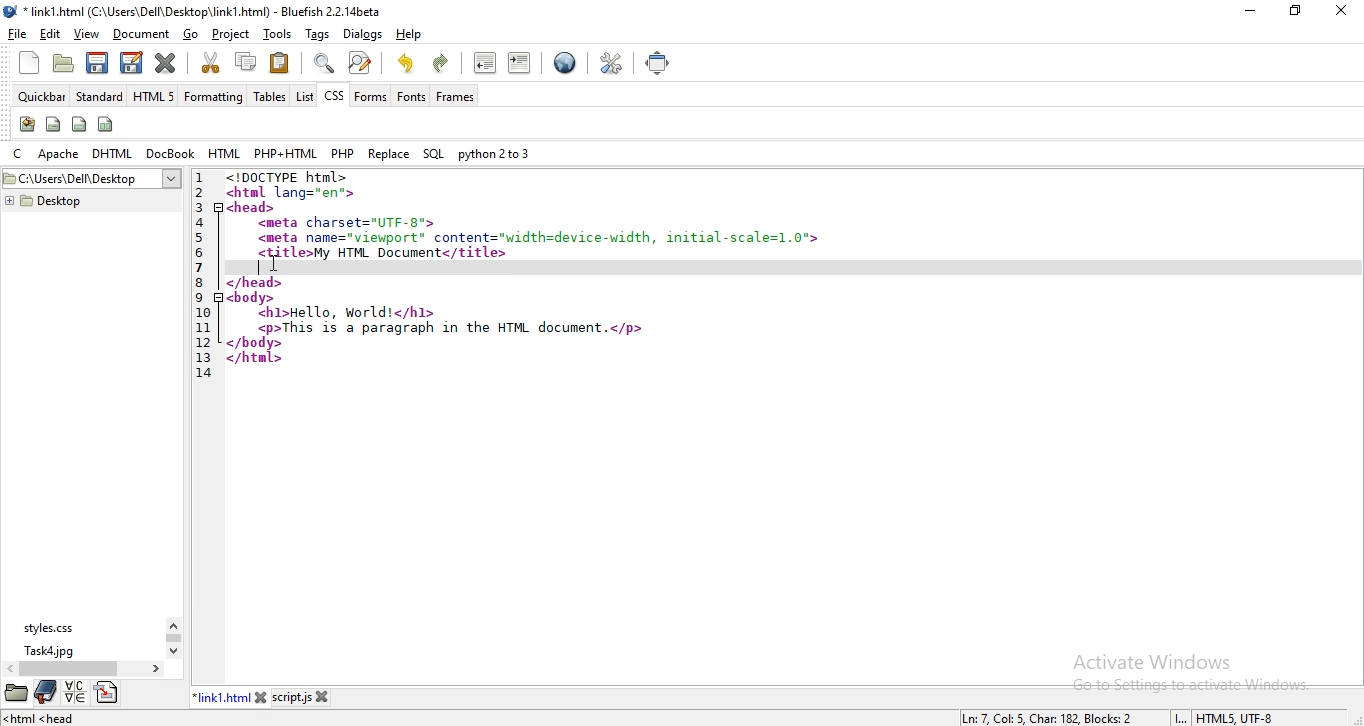 Image resolution: width=1364 pixels, height=726 pixels. I want to click on 10, so click(203, 313).